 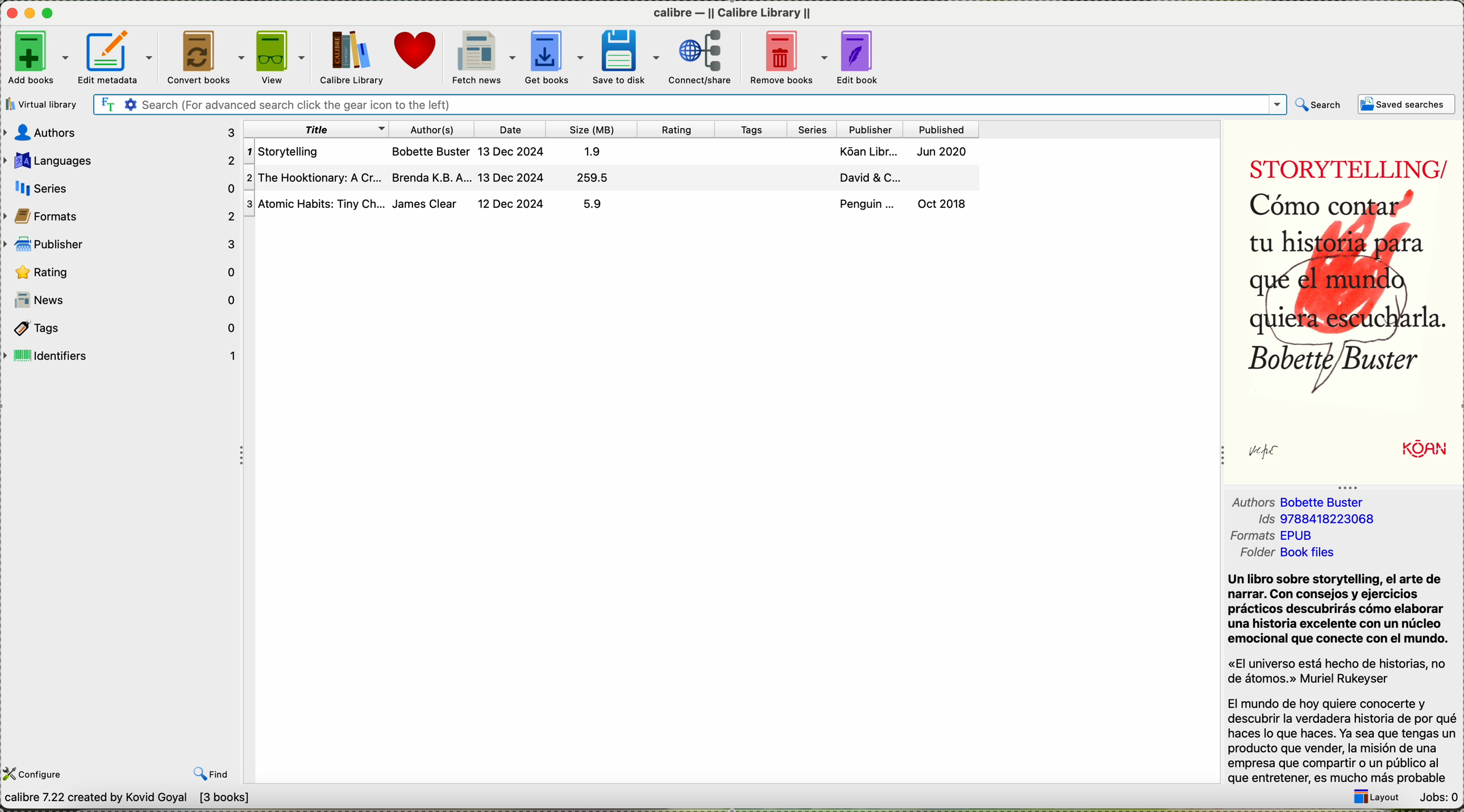 What do you see at coordinates (1342, 740) in the screenshot?
I see `El mundo de hoy quiere conocerte y
descubrir la verdadera historia de por qué
haces lo que haces. Ya sea que tengas un
producto que vender, la misién de una
empresa que compartir o un ptblico al
que entretener, es mucho mas probable` at bounding box center [1342, 740].